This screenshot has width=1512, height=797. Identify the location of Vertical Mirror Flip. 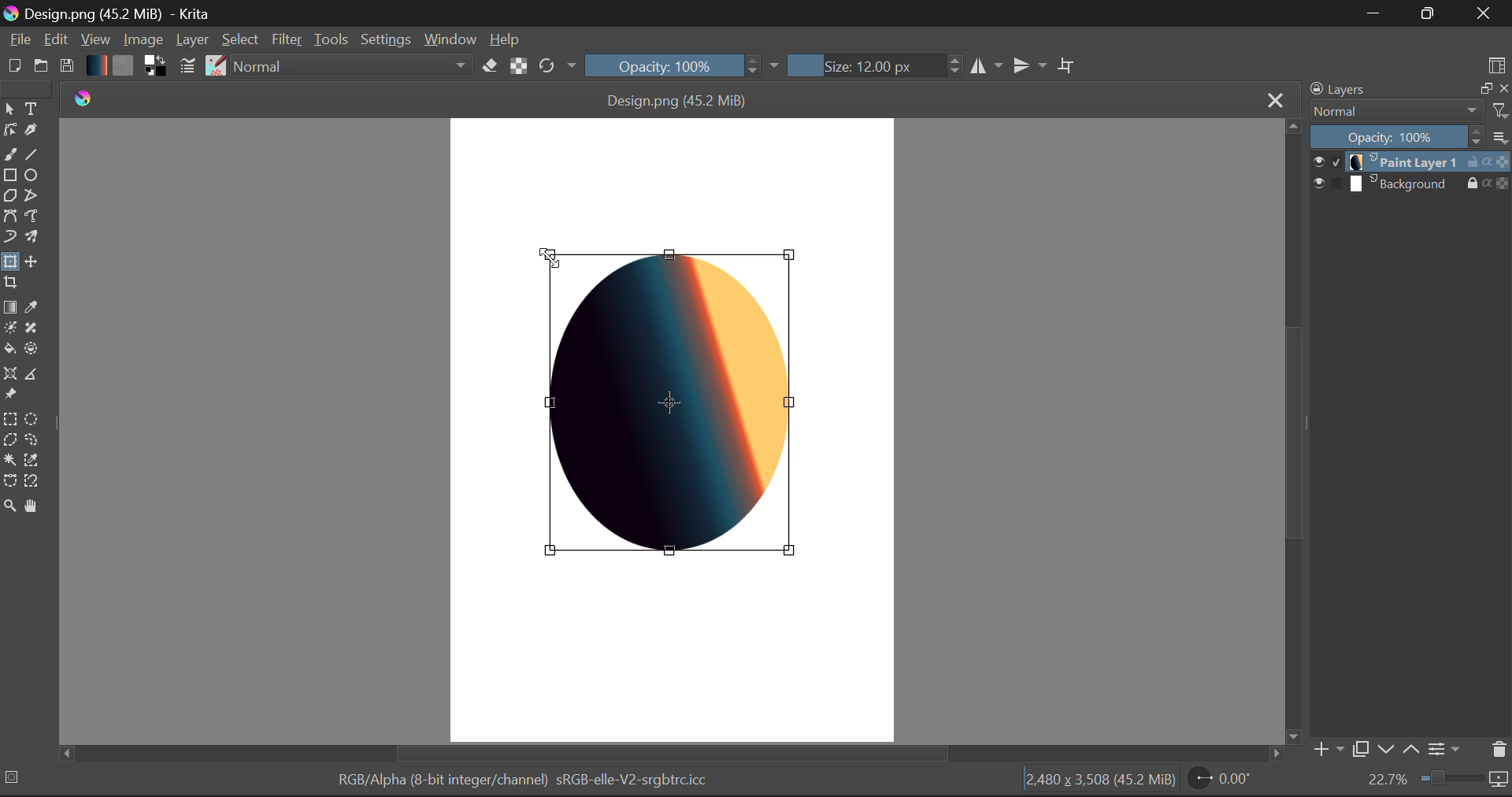
(986, 65).